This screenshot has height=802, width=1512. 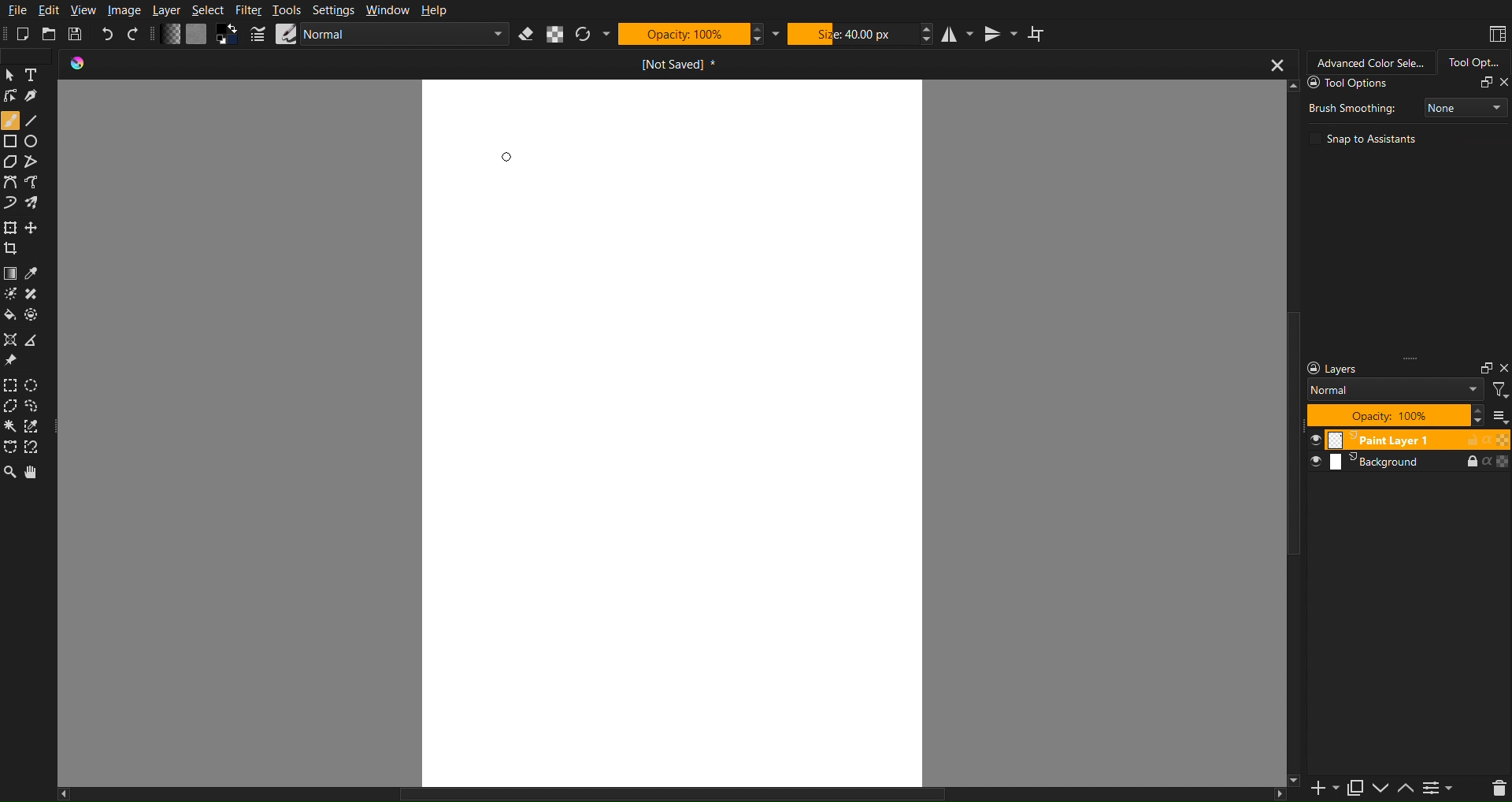 I want to click on Opacity, so click(x=682, y=35).